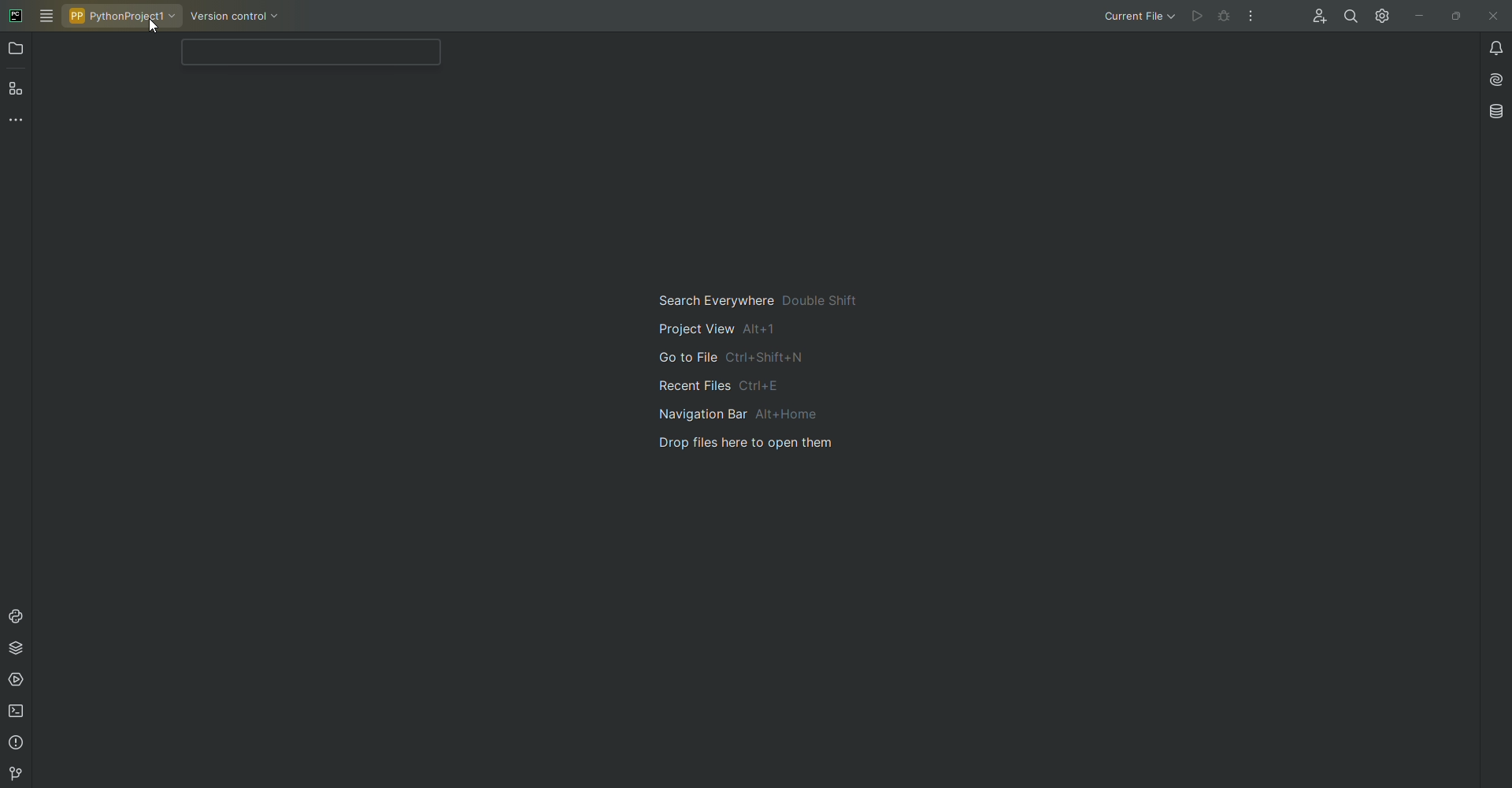 The height and width of the screenshot is (788, 1512). I want to click on debug, so click(1226, 16).